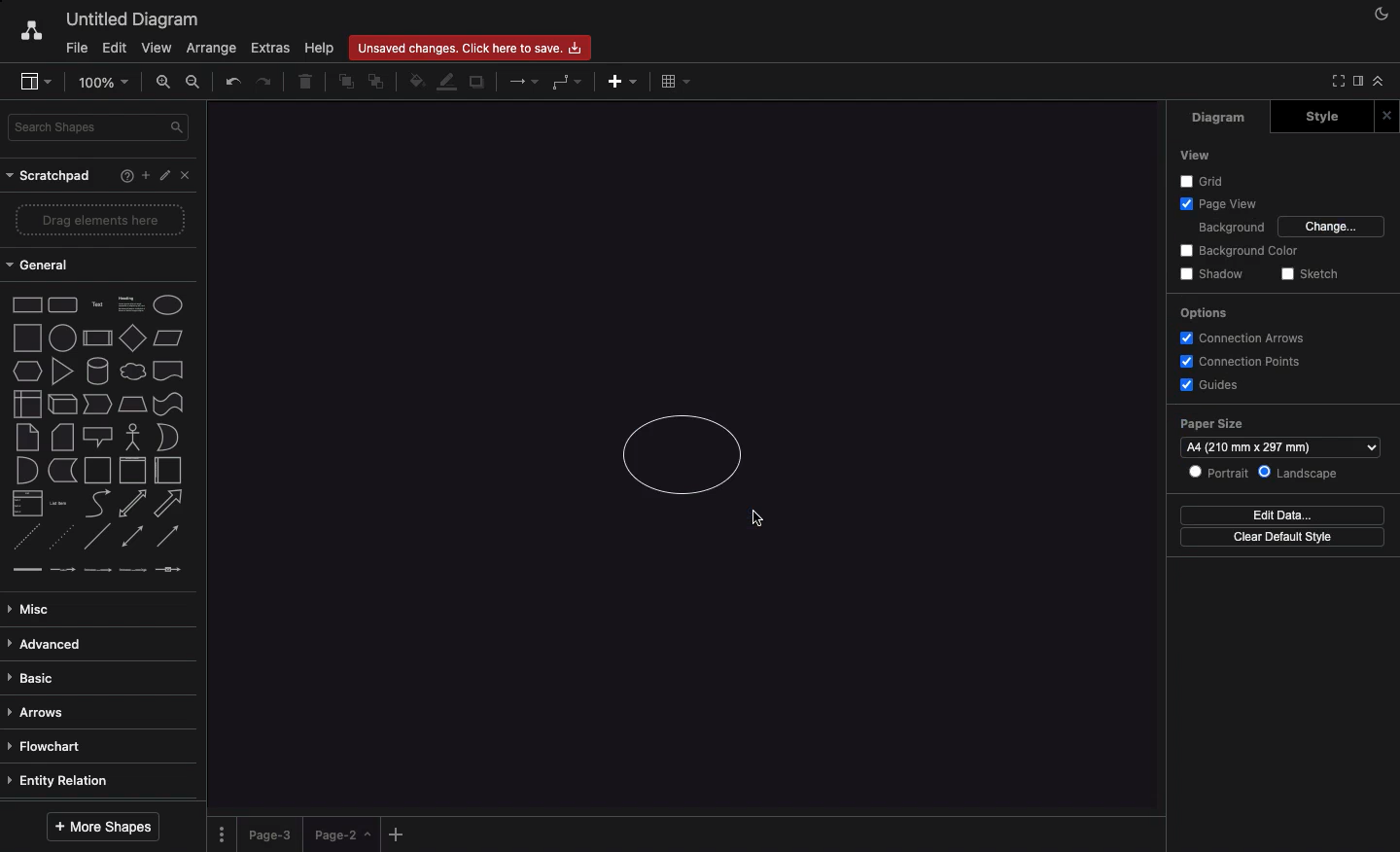 This screenshot has height=852, width=1400. I want to click on Circle, so click(682, 454).